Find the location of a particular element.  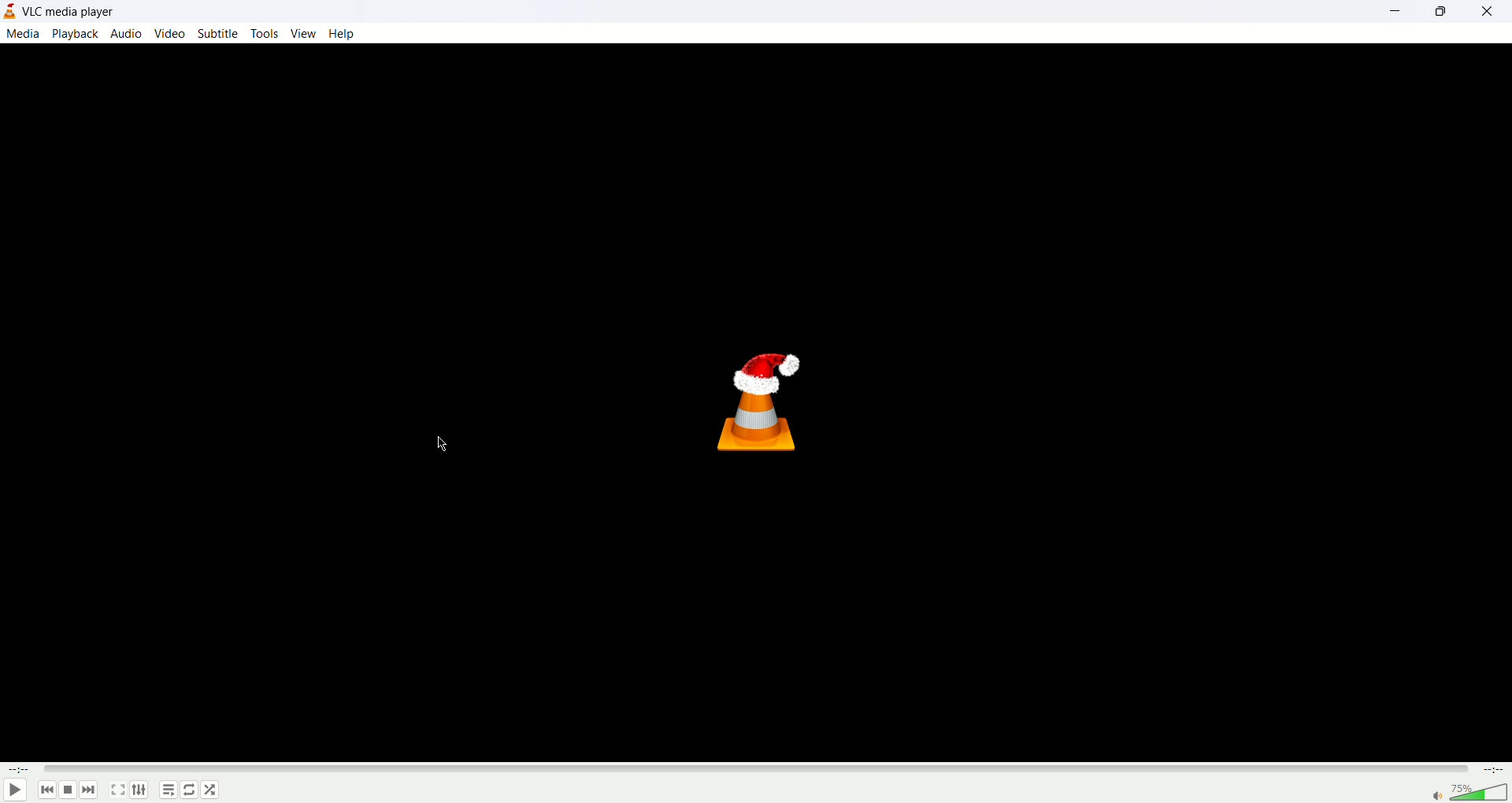

stop is located at coordinates (65, 790).